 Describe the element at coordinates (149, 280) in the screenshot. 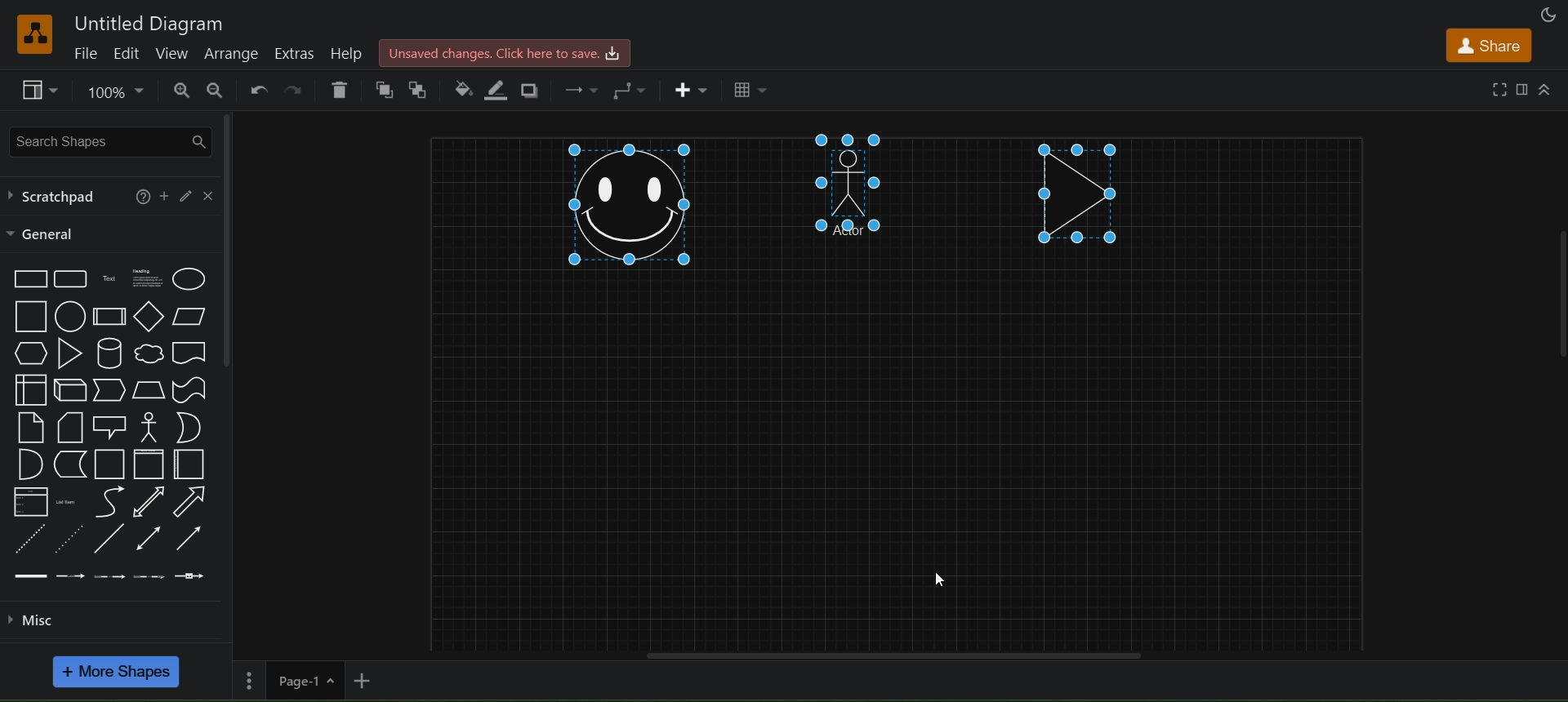

I see `heading` at that location.